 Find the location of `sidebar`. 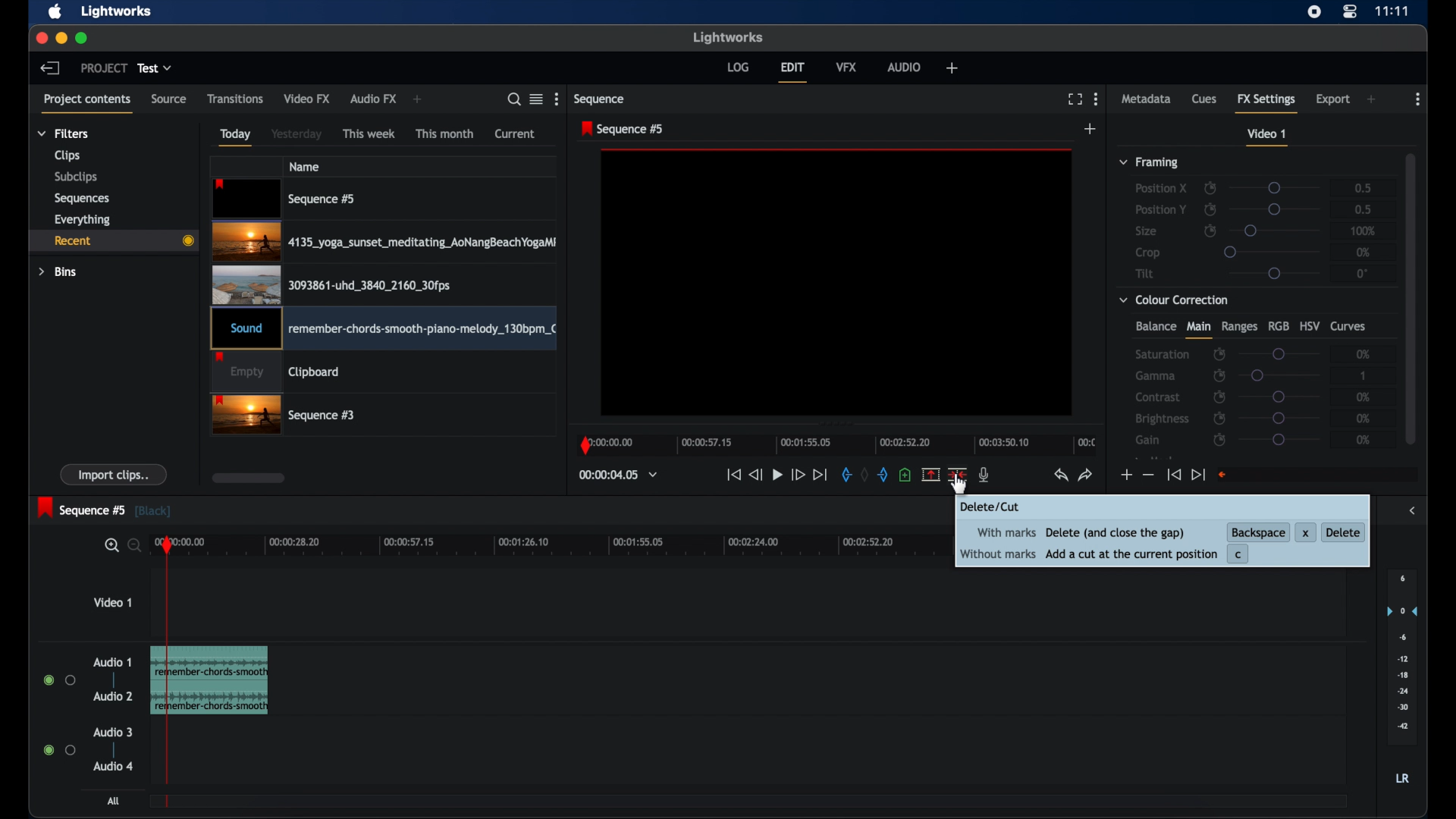

sidebar is located at coordinates (1412, 511).